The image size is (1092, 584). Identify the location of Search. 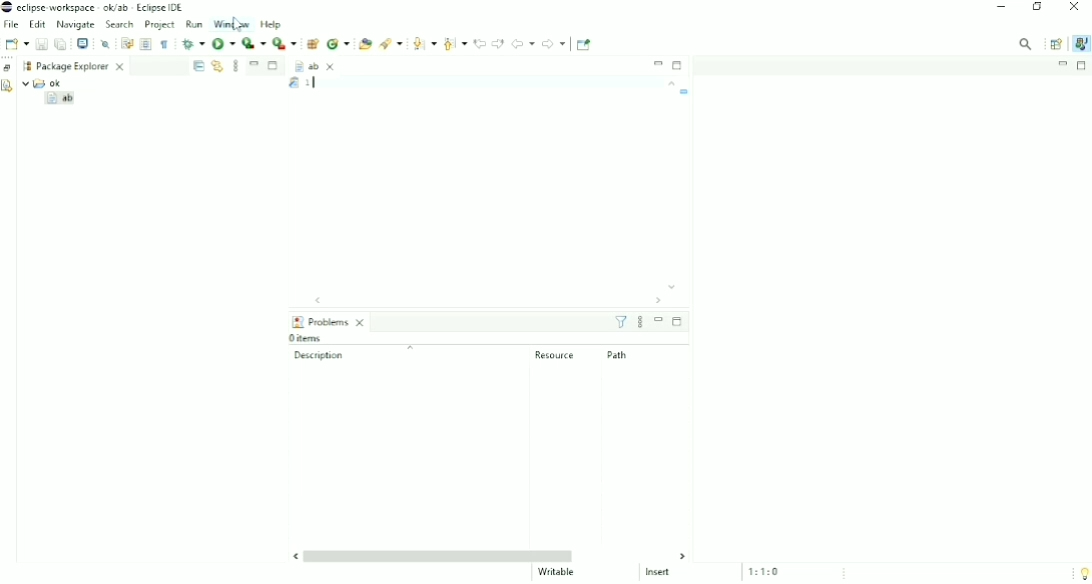
(121, 25).